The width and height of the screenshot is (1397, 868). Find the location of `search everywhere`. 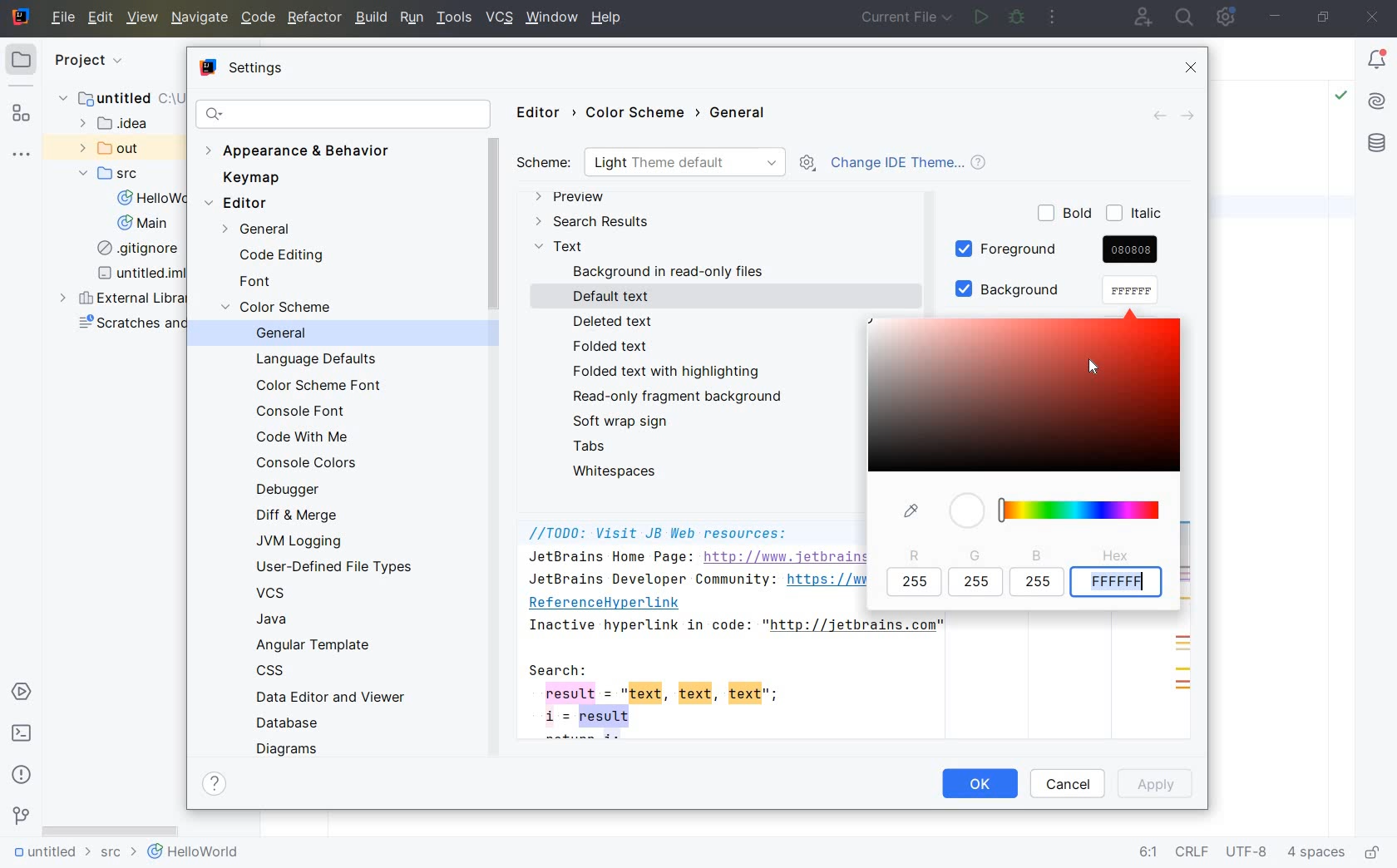

search everywhere is located at coordinates (1184, 17).